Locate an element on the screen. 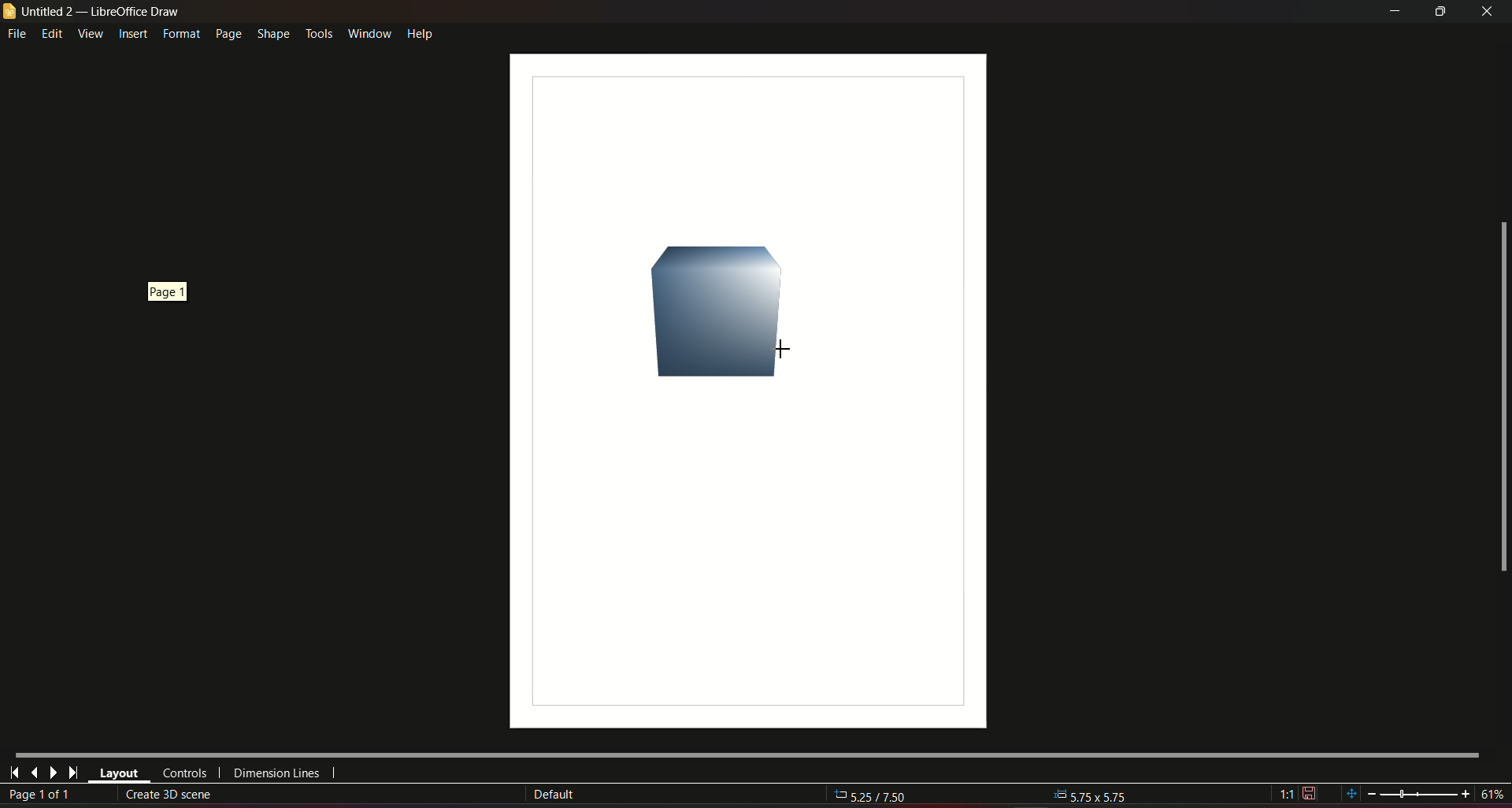  close is located at coordinates (1488, 11).